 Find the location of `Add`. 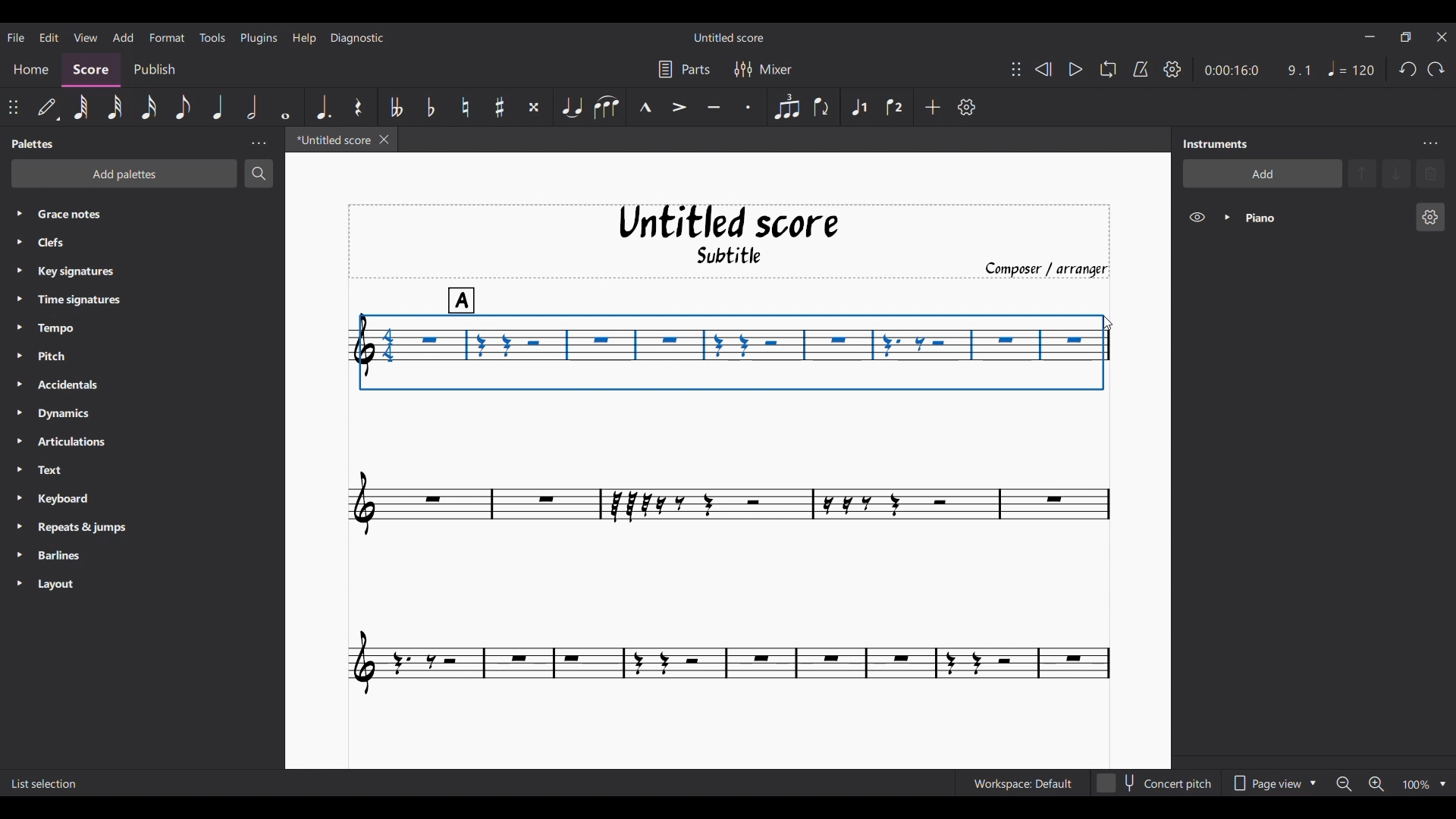

Add is located at coordinates (933, 107).